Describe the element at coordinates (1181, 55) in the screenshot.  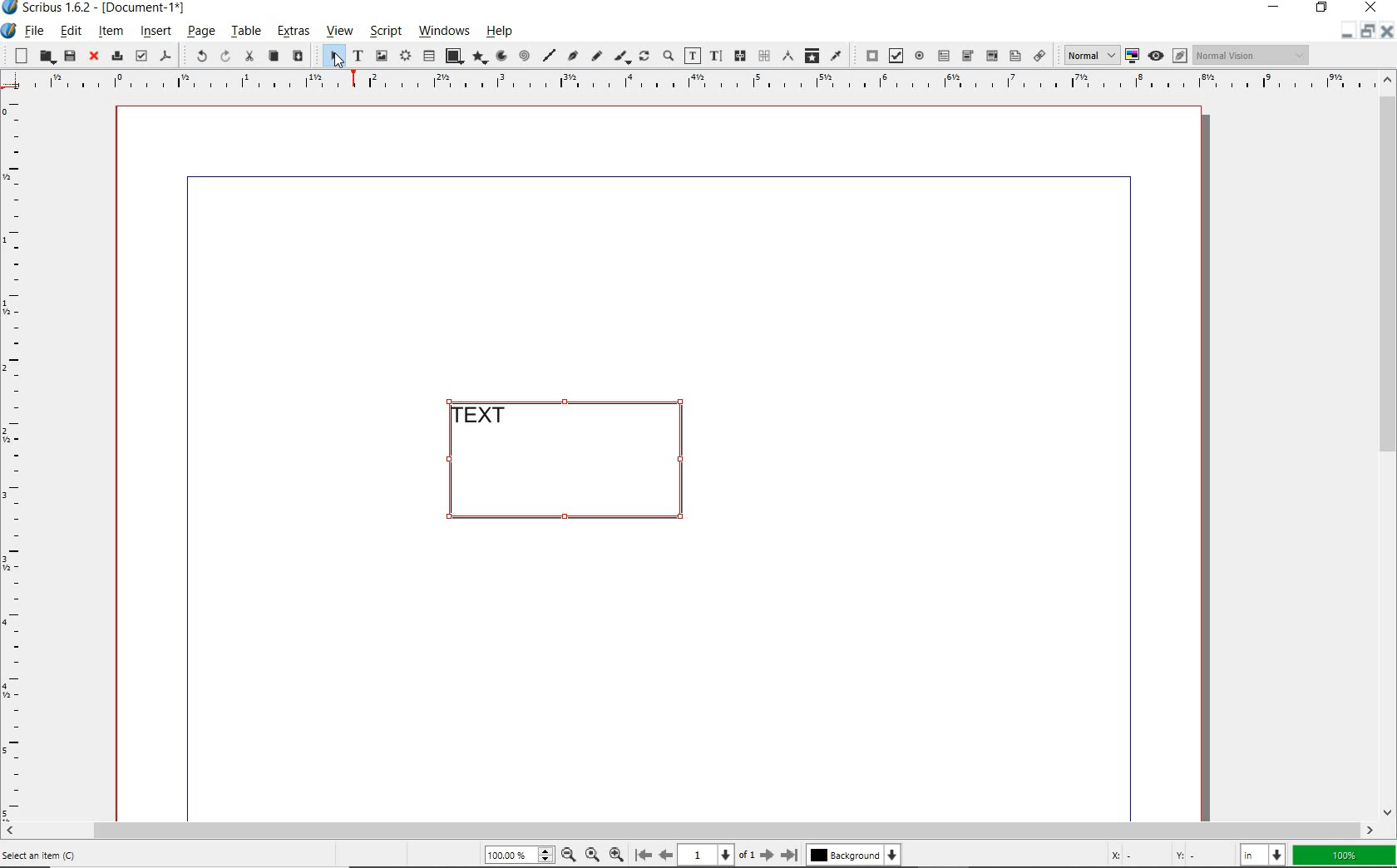
I see `Edit in preview mode` at that location.